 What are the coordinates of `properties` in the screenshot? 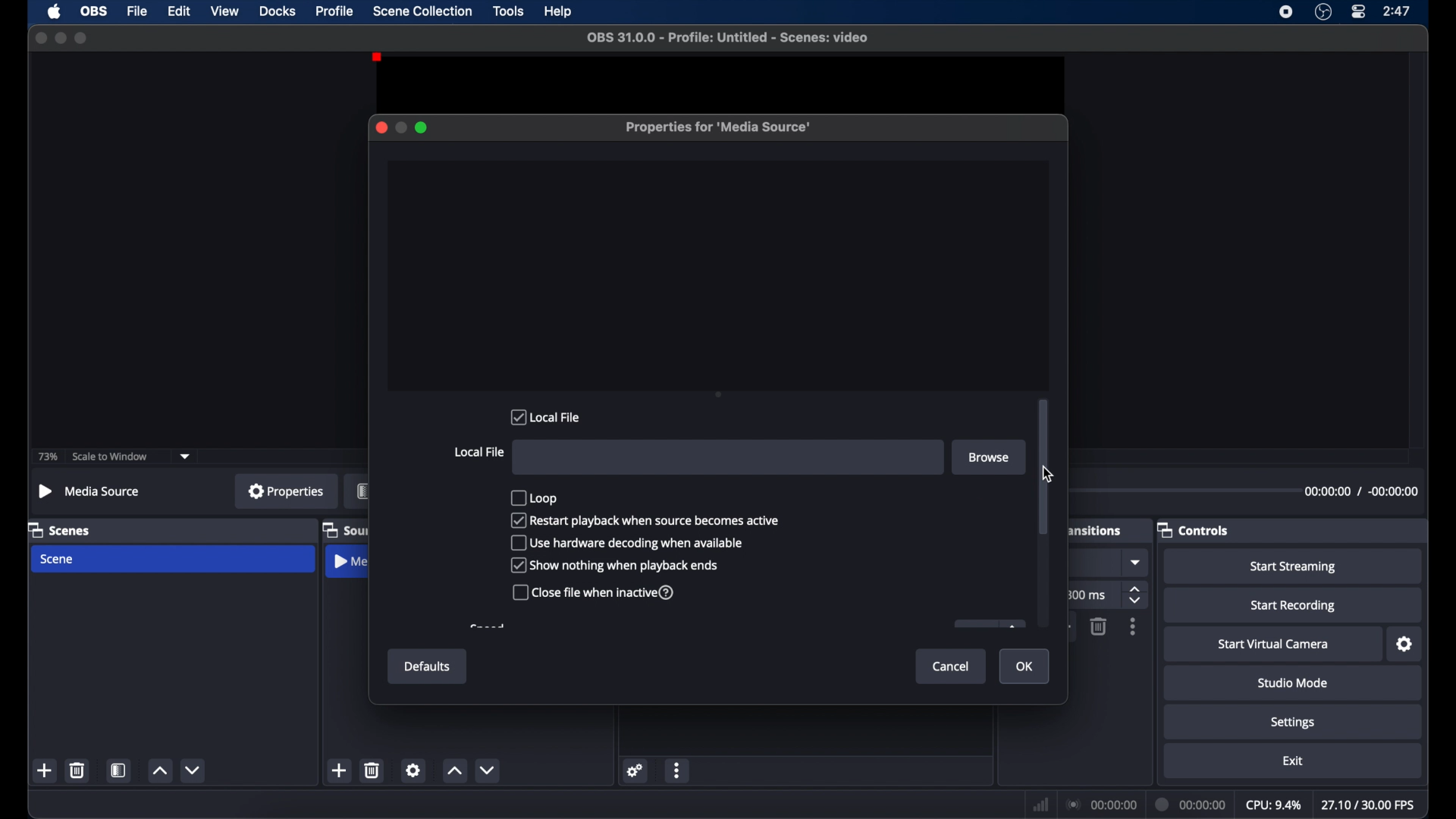 It's located at (287, 491).